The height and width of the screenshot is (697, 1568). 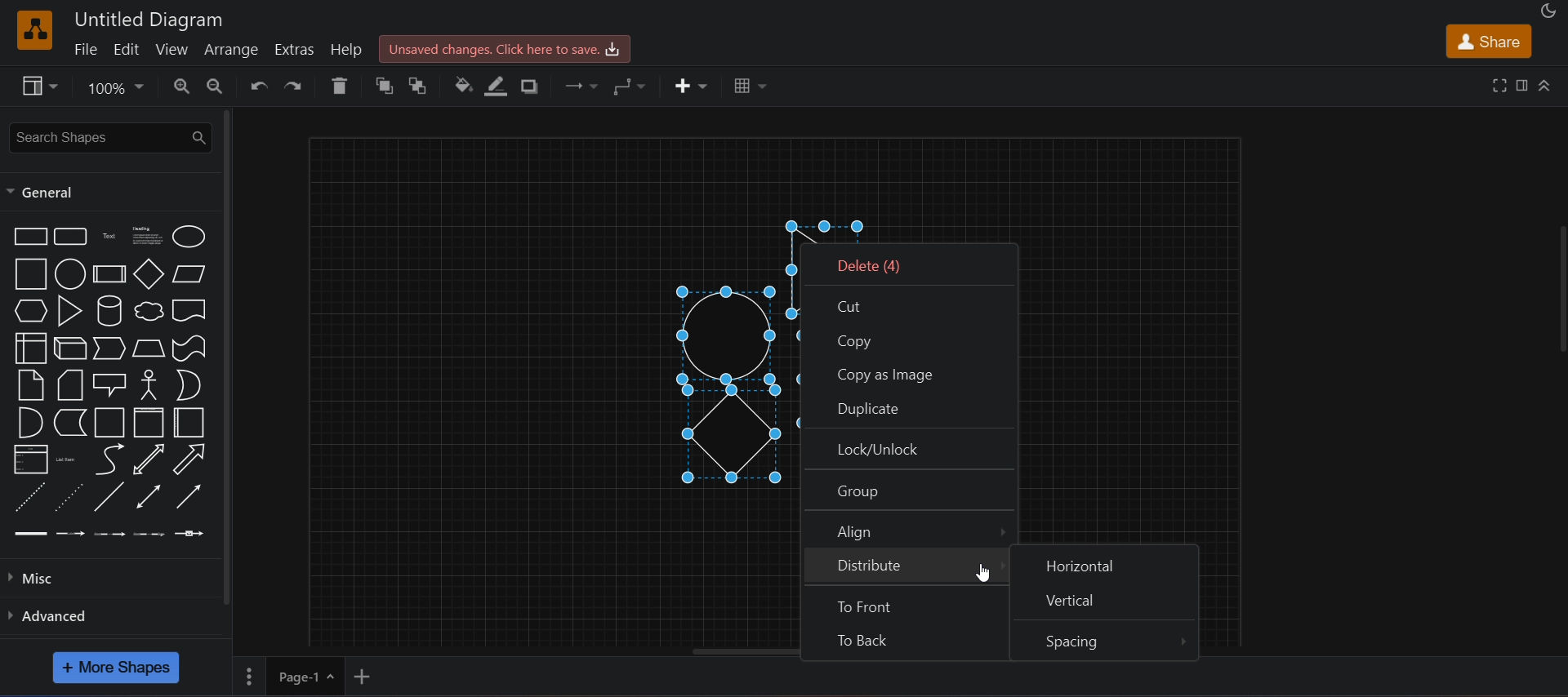 What do you see at coordinates (110, 459) in the screenshot?
I see `arrow` at bounding box center [110, 459].